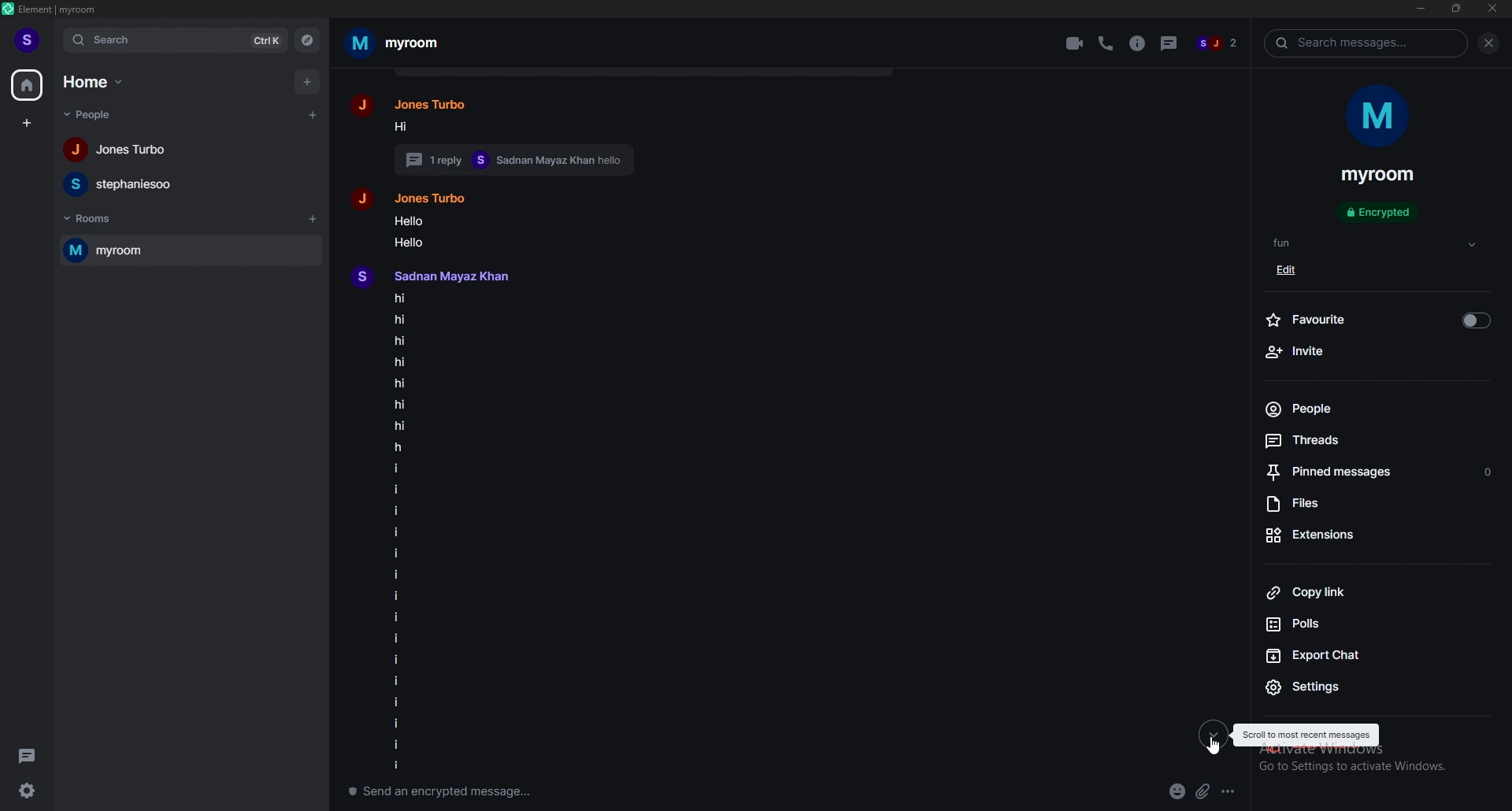  Describe the element at coordinates (1353, 594) in the screenshot. I see `copy link` at that location.